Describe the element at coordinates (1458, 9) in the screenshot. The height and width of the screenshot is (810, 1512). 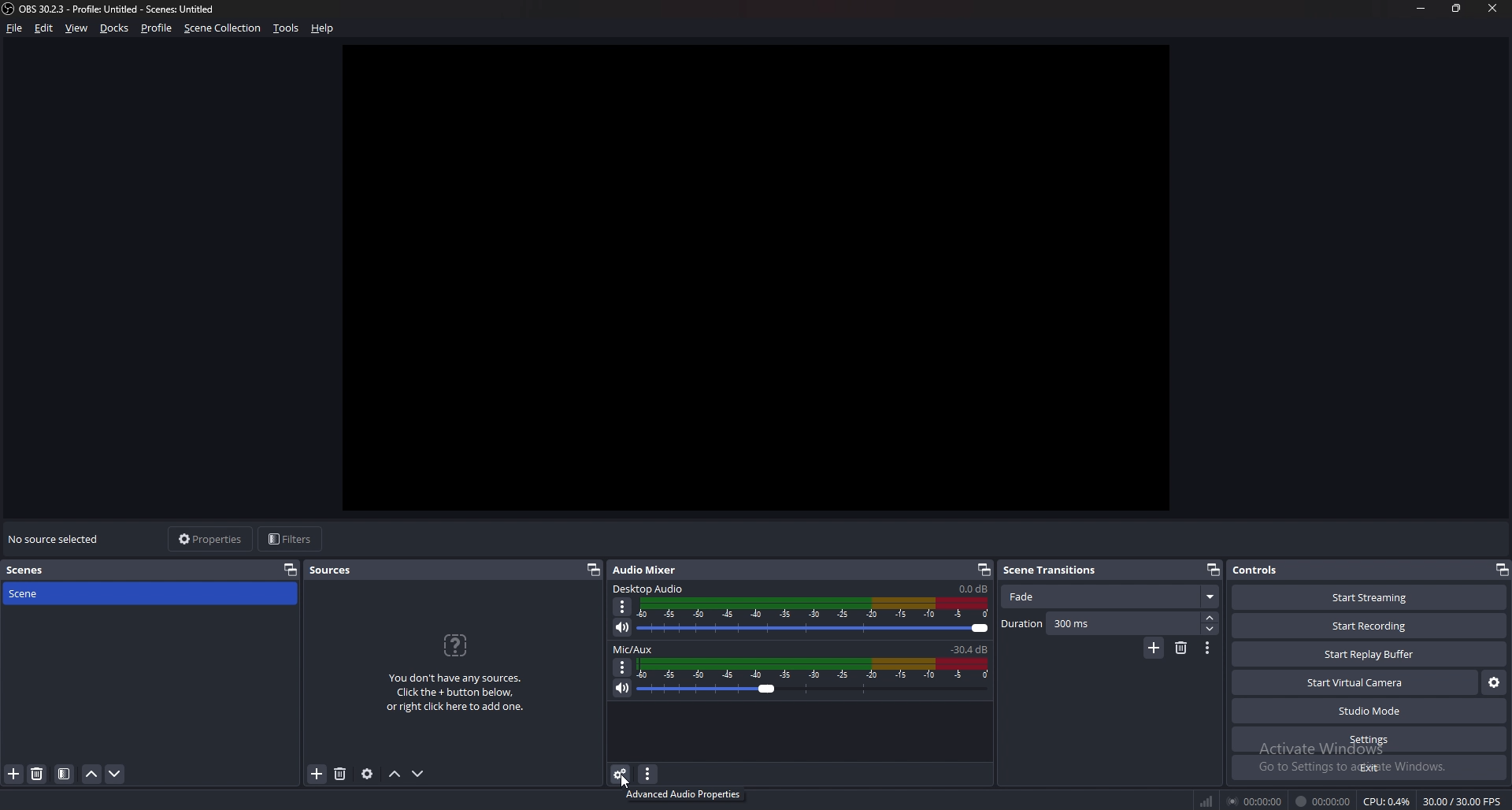
I see `resize` at that location.